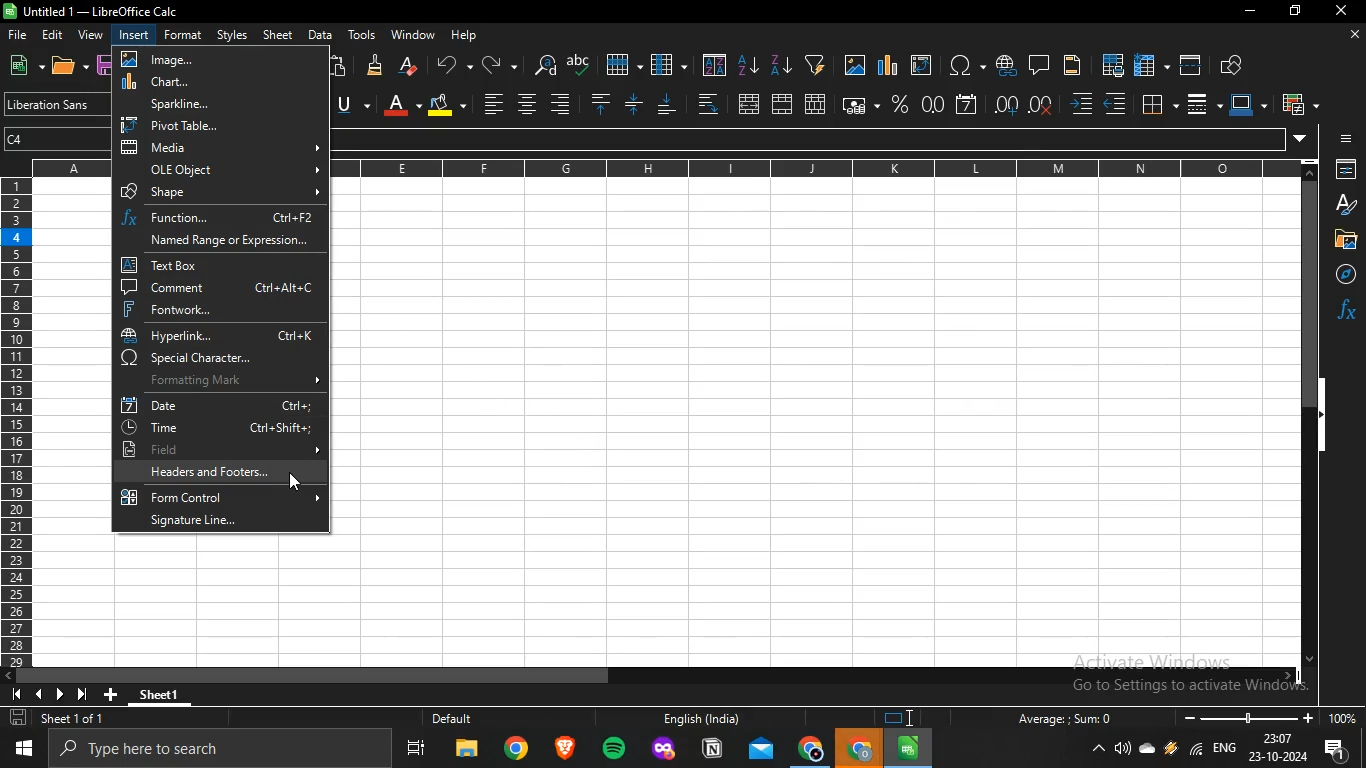  What do you see at coordinates (473, 719) in the screenshot?
I see `Default` at bounding box center [473, 719].